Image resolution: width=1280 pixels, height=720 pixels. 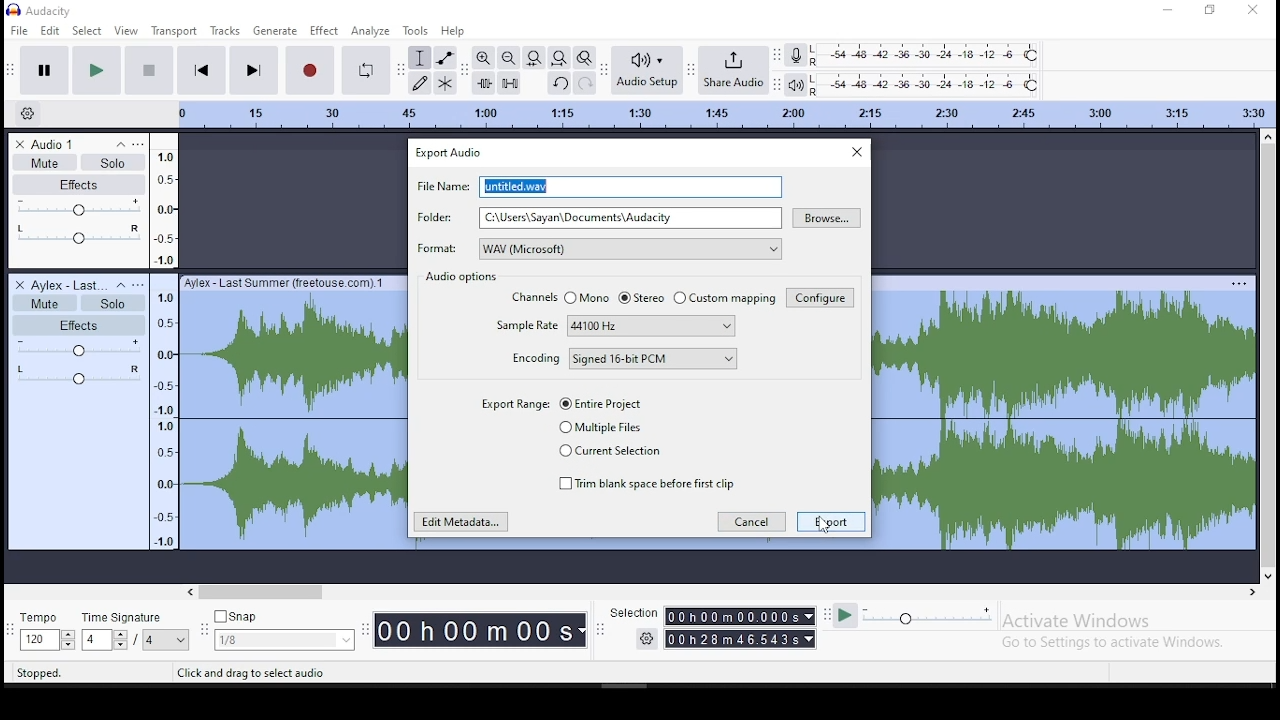 What do you see at coordinates (647, 638) in the screenshot?
I see `settings` at bounding box center [647, 638].